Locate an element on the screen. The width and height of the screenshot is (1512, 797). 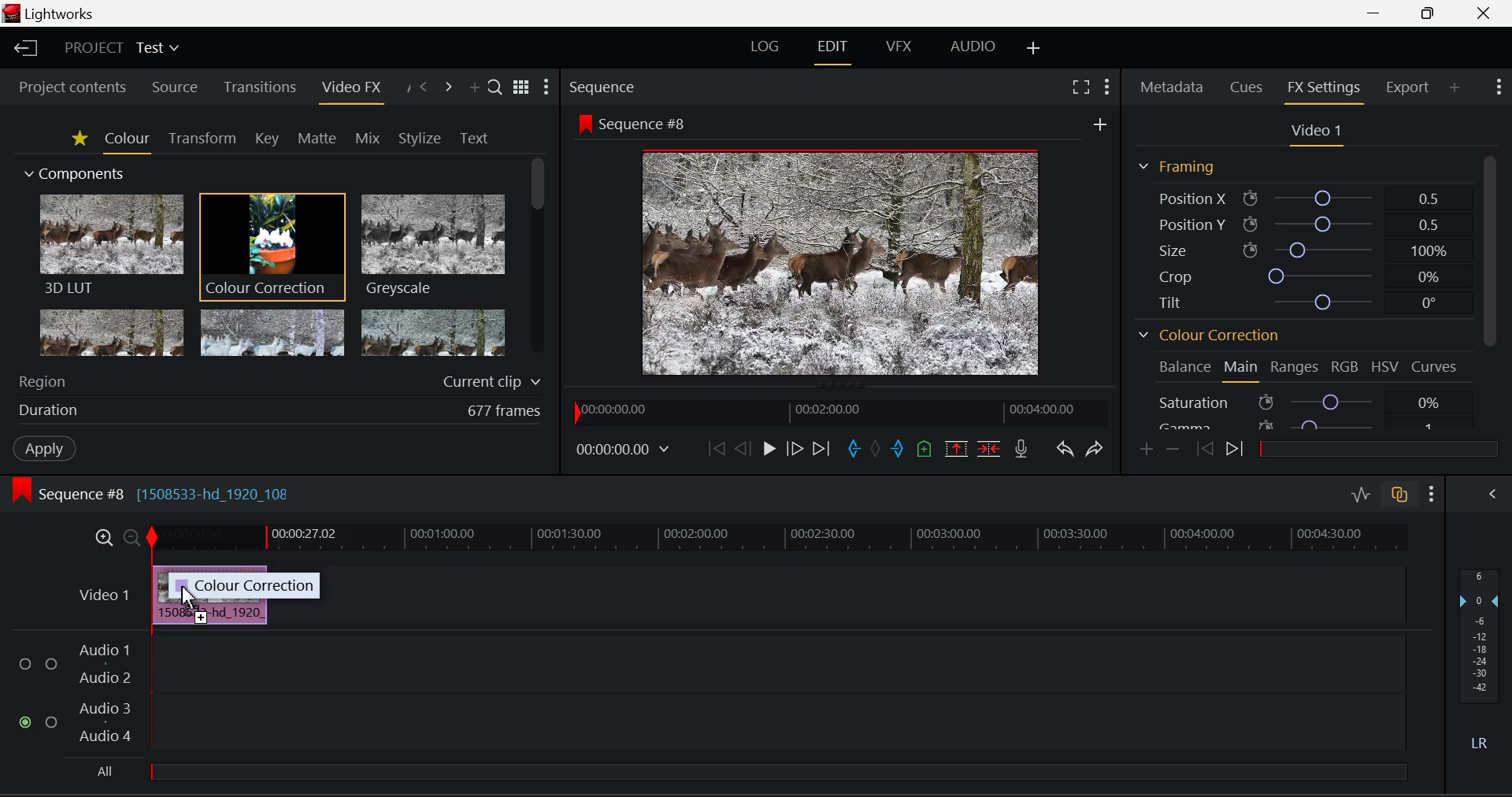
Audio 1 is located at coordinates (104, 651).